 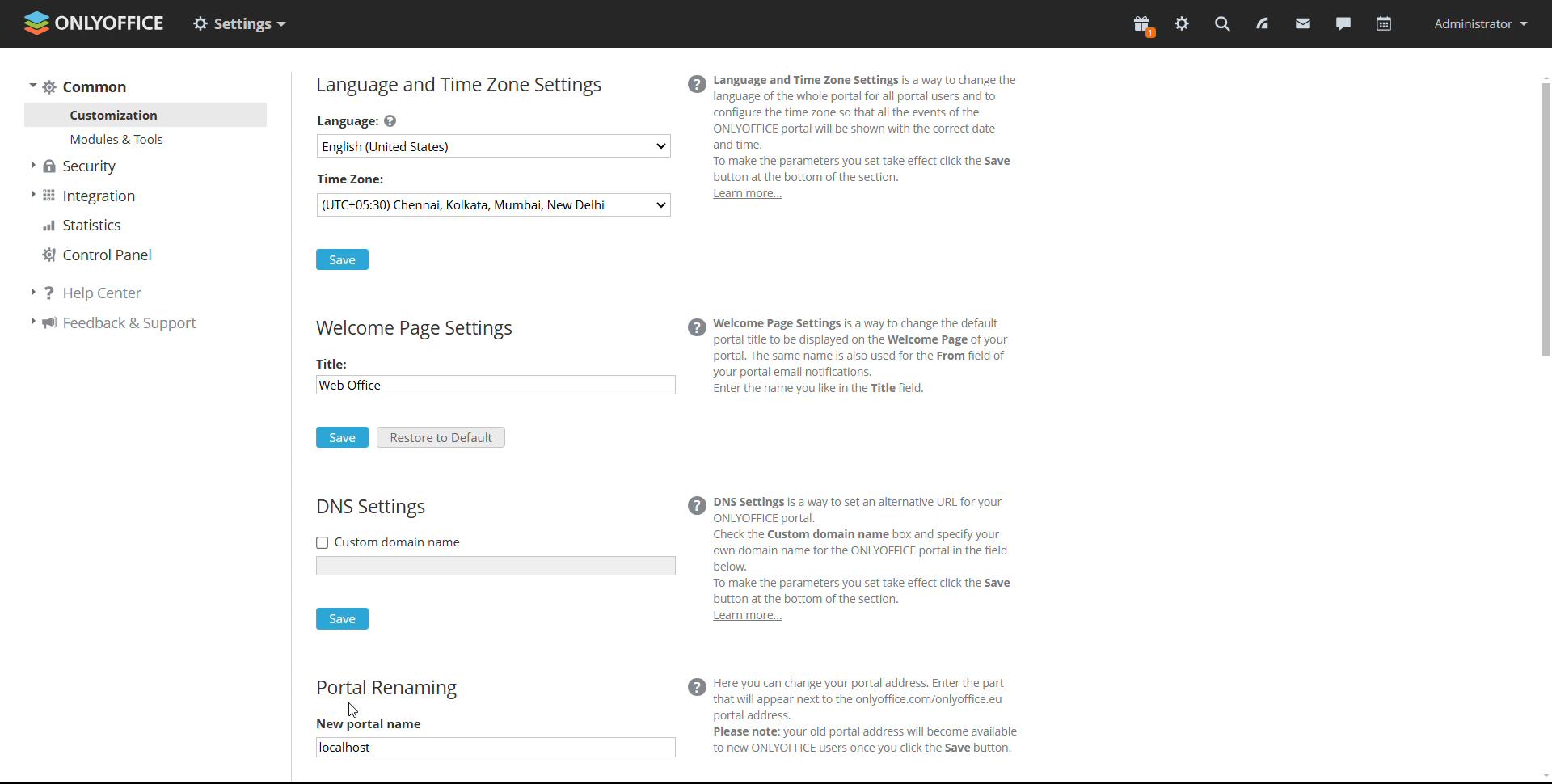 What do you see at coordinates (342, 437) in the screenshot?
I see `save` at bounding box center [342, 437].